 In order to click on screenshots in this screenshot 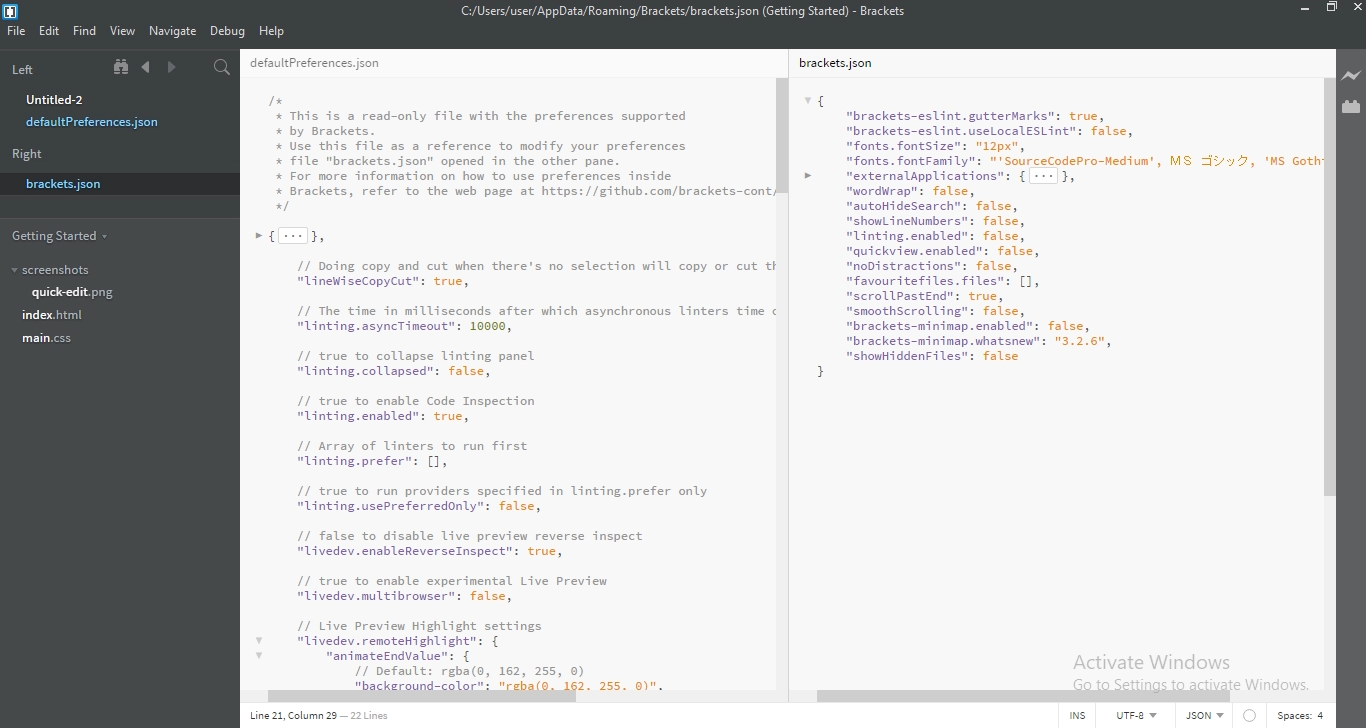, I will do `click(62, 270)`.